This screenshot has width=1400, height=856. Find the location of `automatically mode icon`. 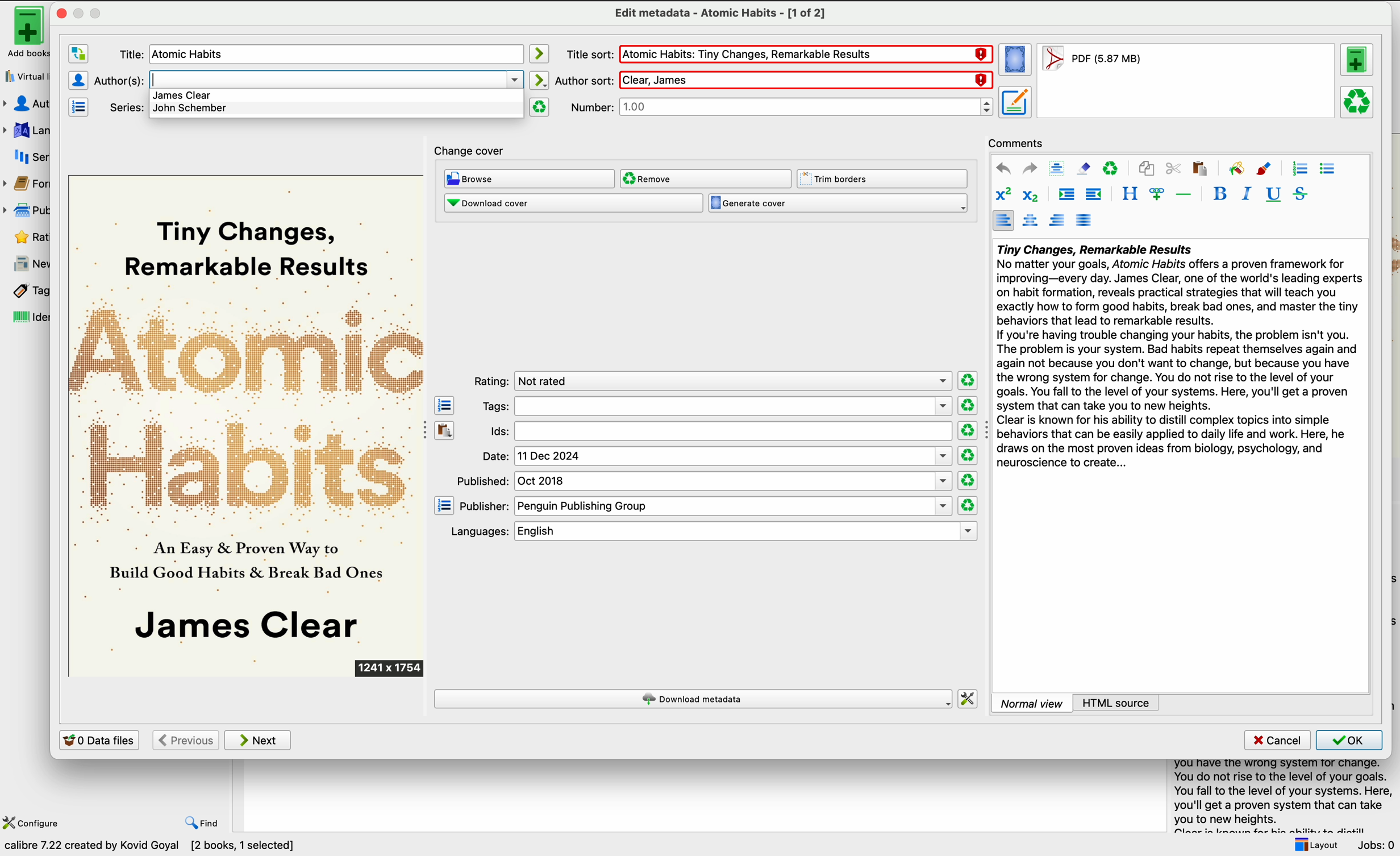

automatically mode icon is located at coordinates (541, 53).